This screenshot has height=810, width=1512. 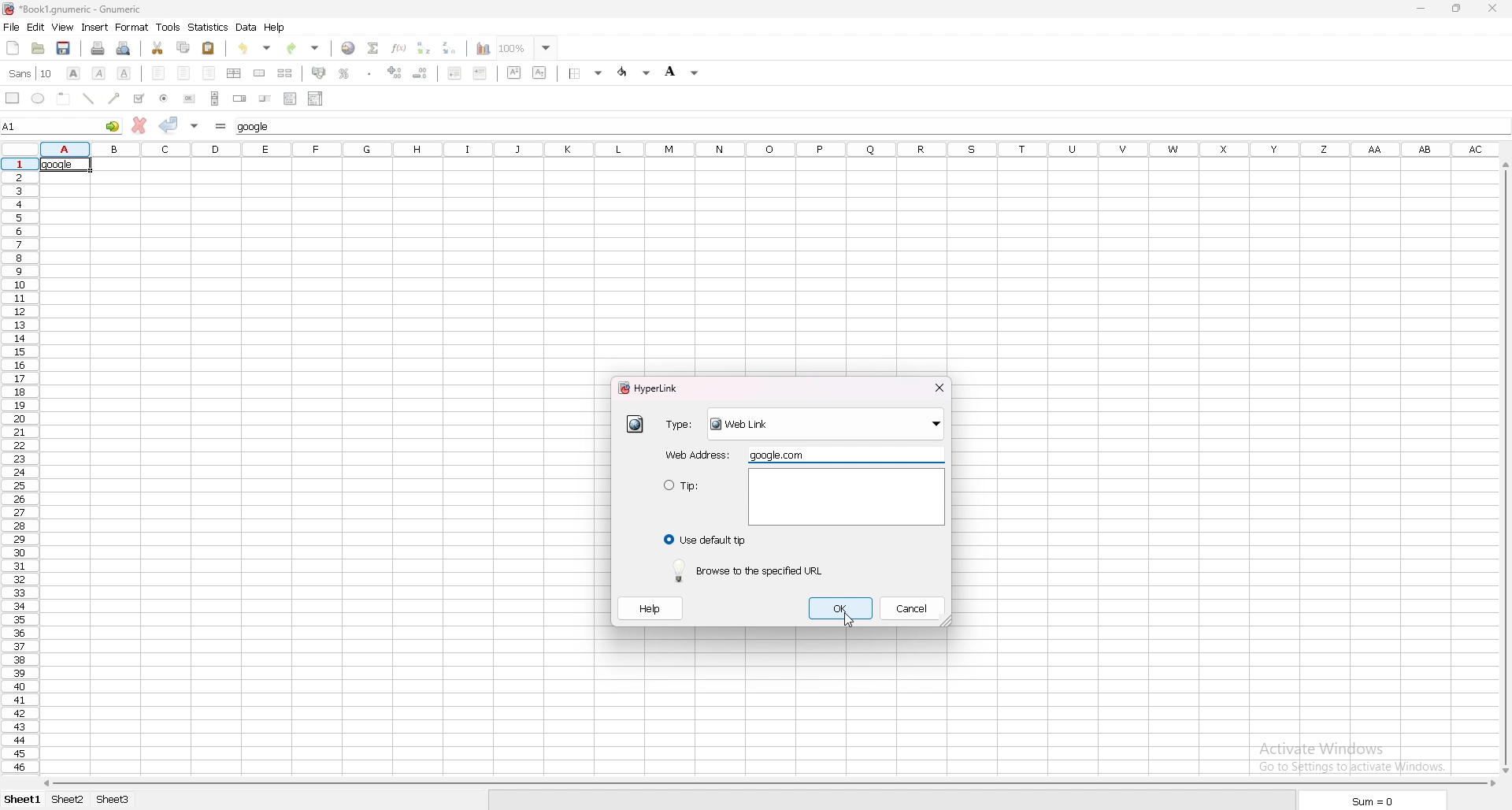 I want to click on sort descending, so click(x=450, y=47).